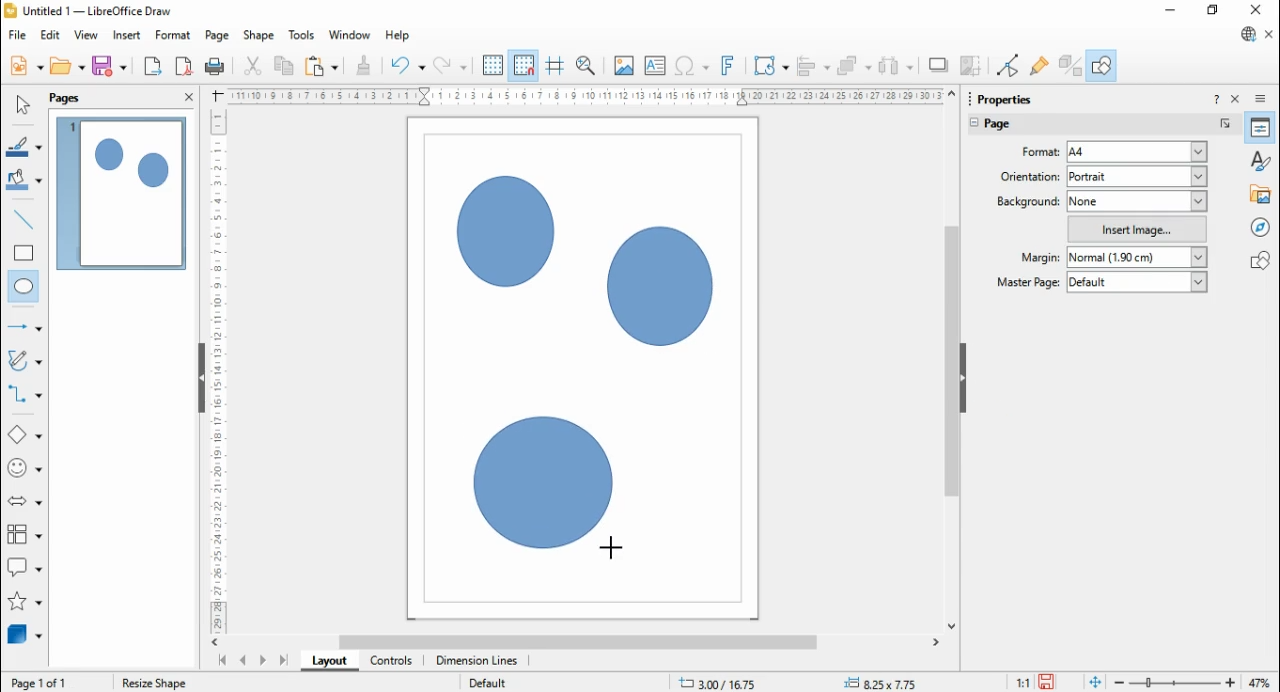 The height and width of the screenshot is (692, 1280). I want to click on Default, so click(487, 681).